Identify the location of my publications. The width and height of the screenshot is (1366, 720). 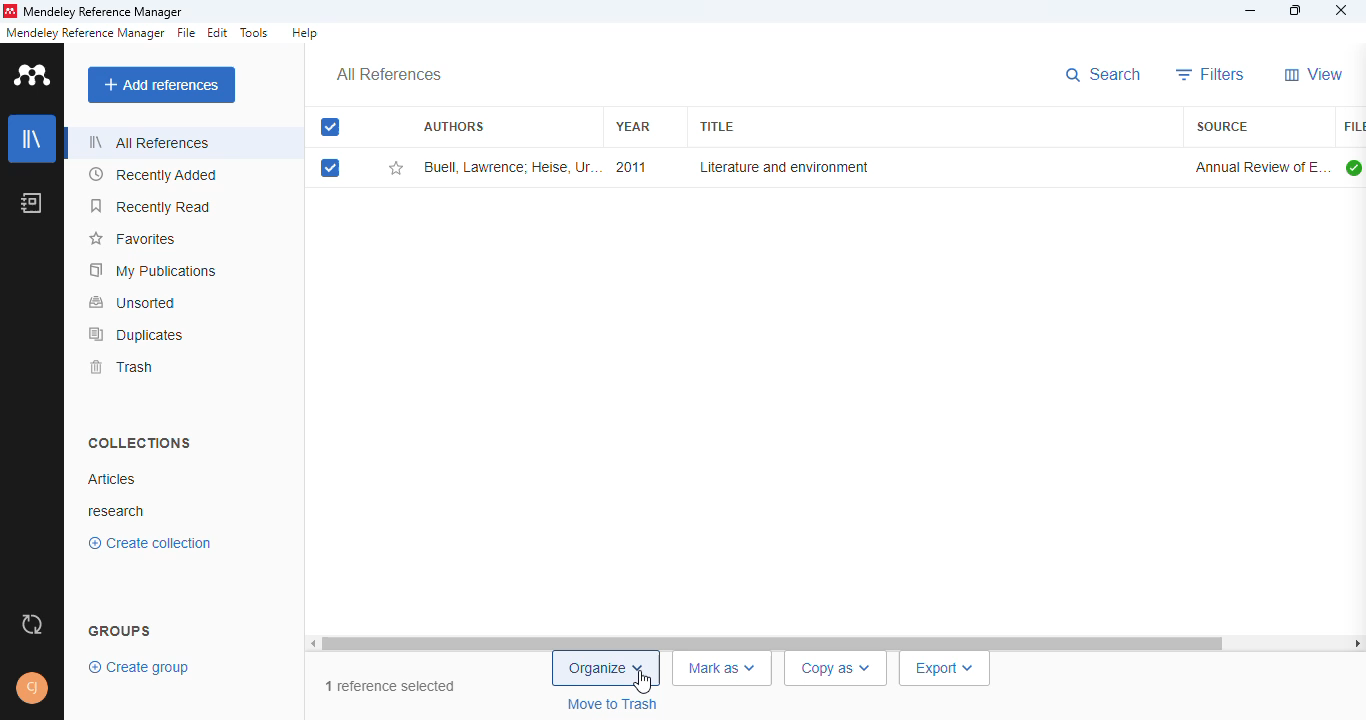
(153, 271).